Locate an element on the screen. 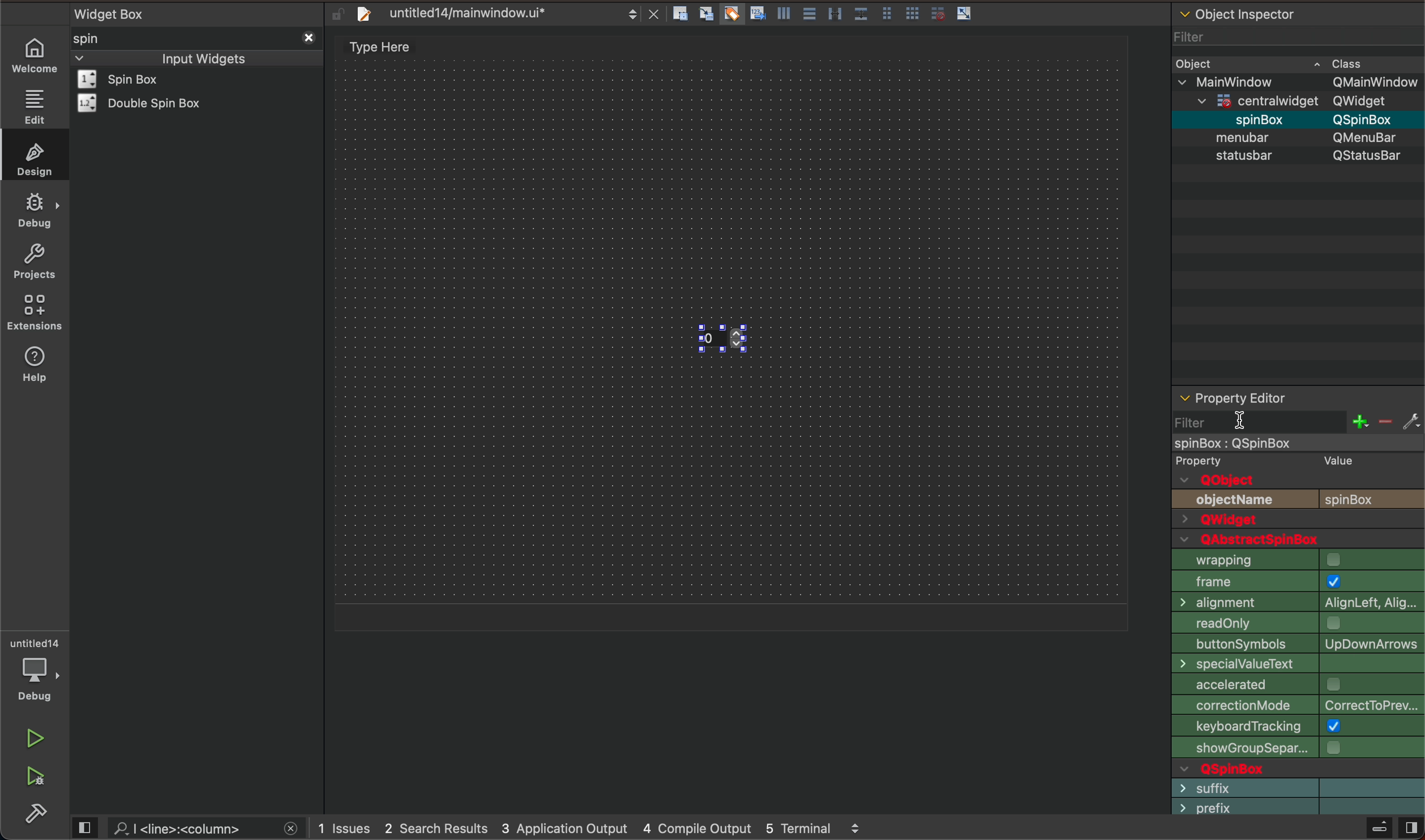 Image resolution: width=1425 pixels, height=840 pixels. file tab is located at coordinates (495, 13).